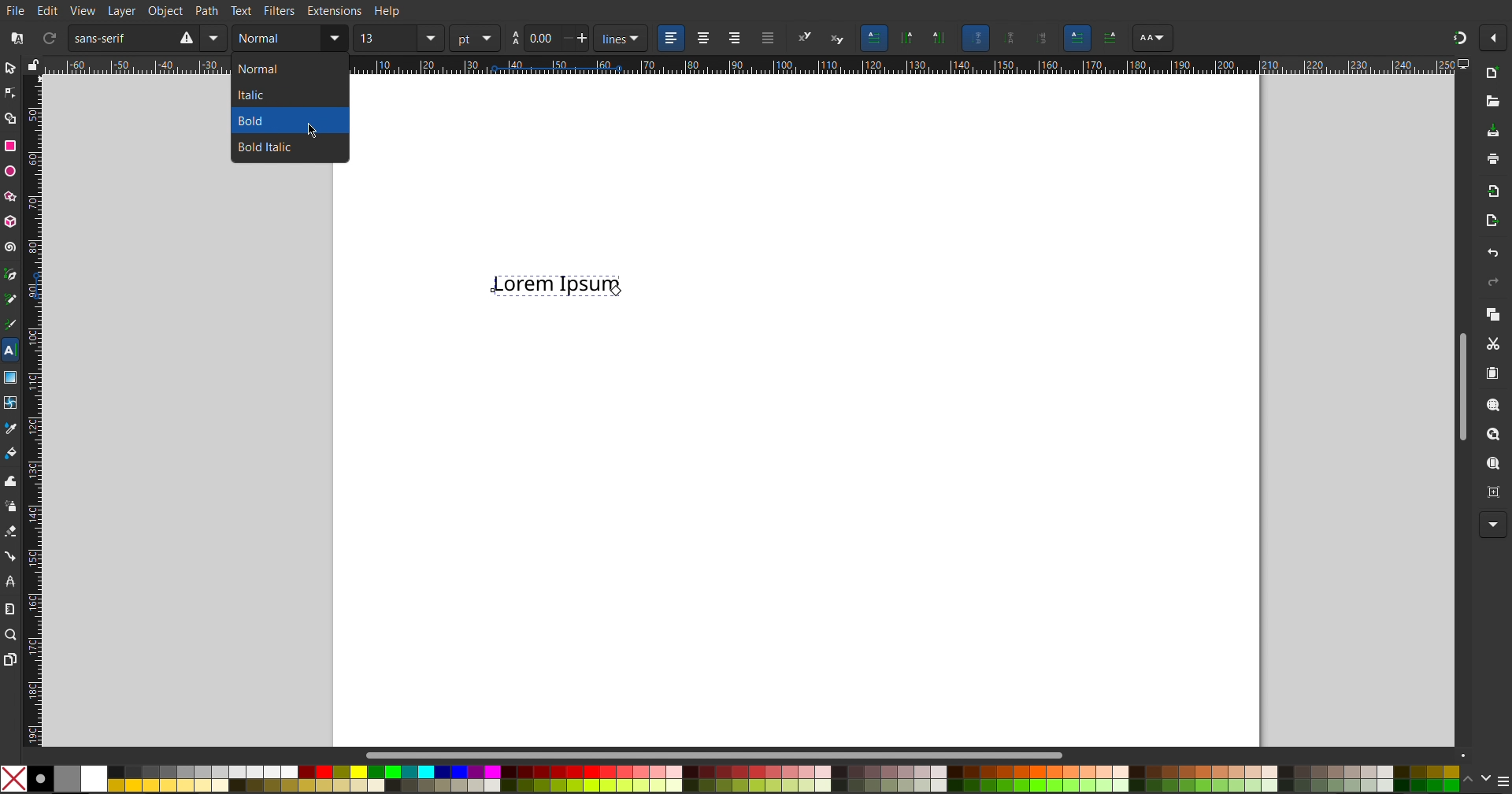  I want to click on Edit, so click(50, 9).